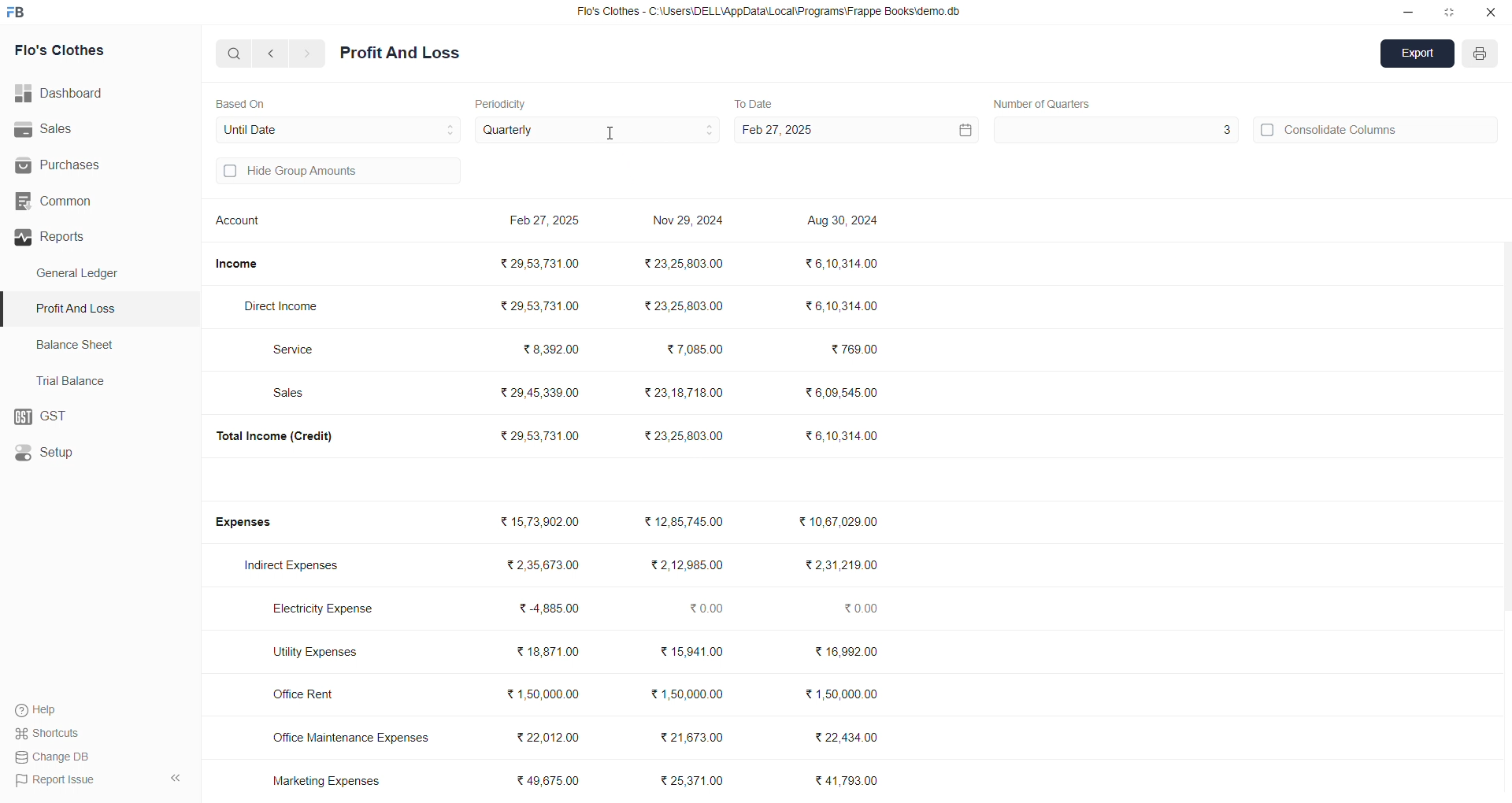  What do you see at coordinates (244, 102) in the screenshot?
I see `Based On` at bounding box center [244, 102].